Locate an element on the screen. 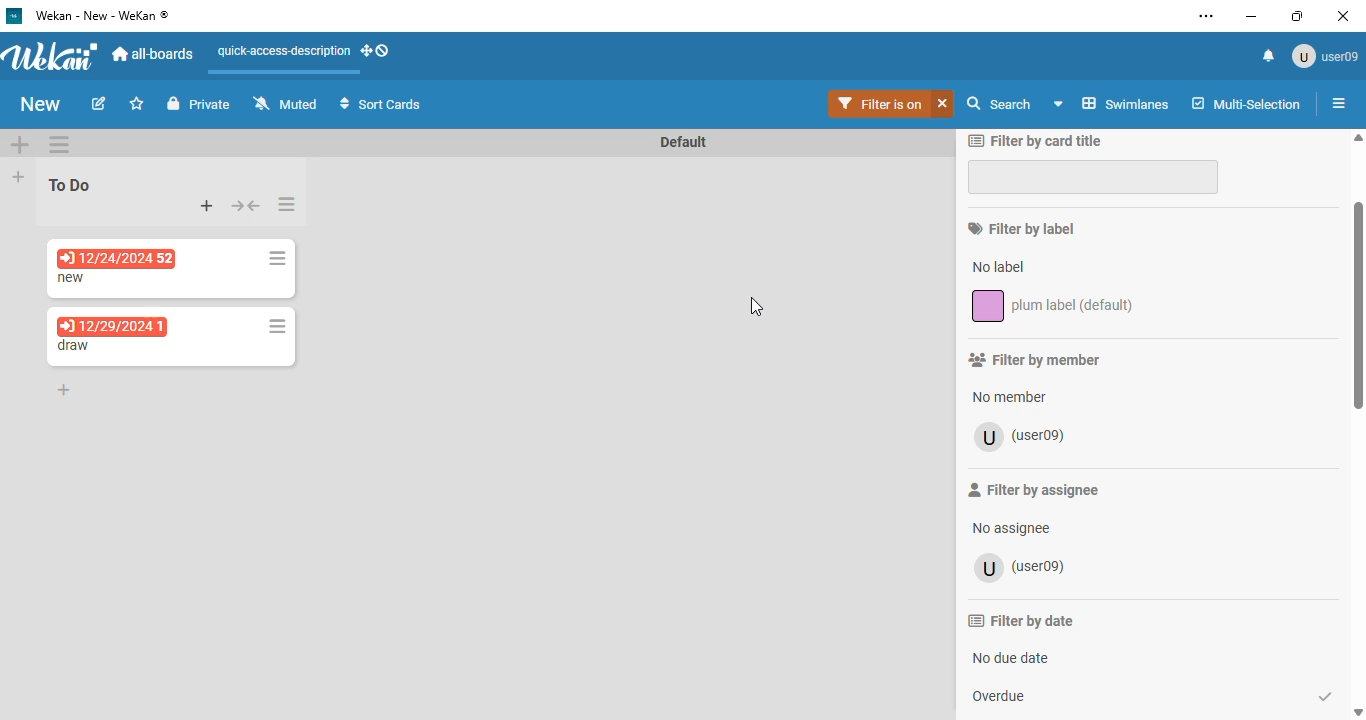 This screenshot has width=1366, height=720. overdue is located at coordinates (1153, 699).